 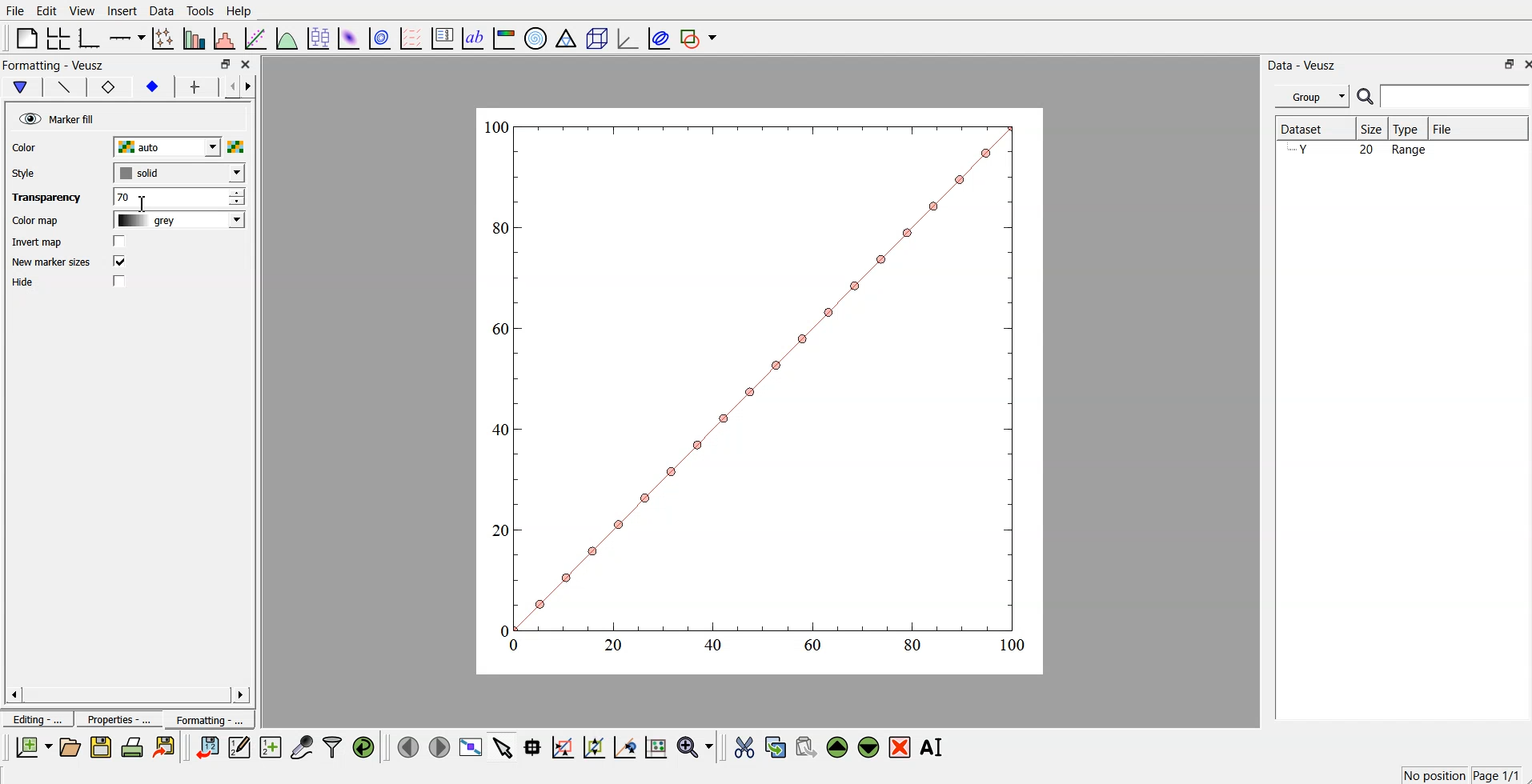 What do you see at coordinates (1373, 129) in the screenshot?
I see `Size` at bounding box center [1373, 129].